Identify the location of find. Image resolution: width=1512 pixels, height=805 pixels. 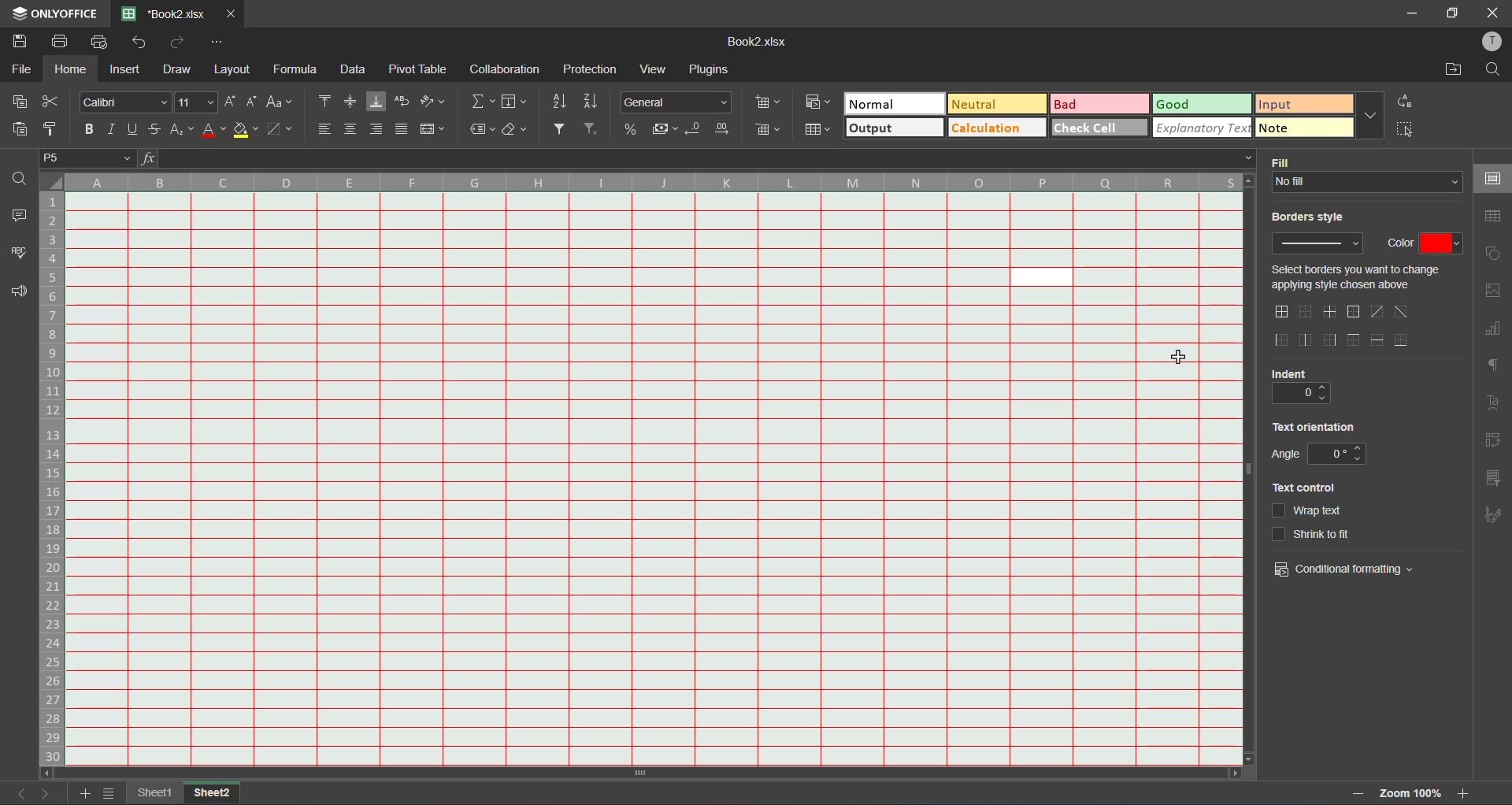
(1493, 69).